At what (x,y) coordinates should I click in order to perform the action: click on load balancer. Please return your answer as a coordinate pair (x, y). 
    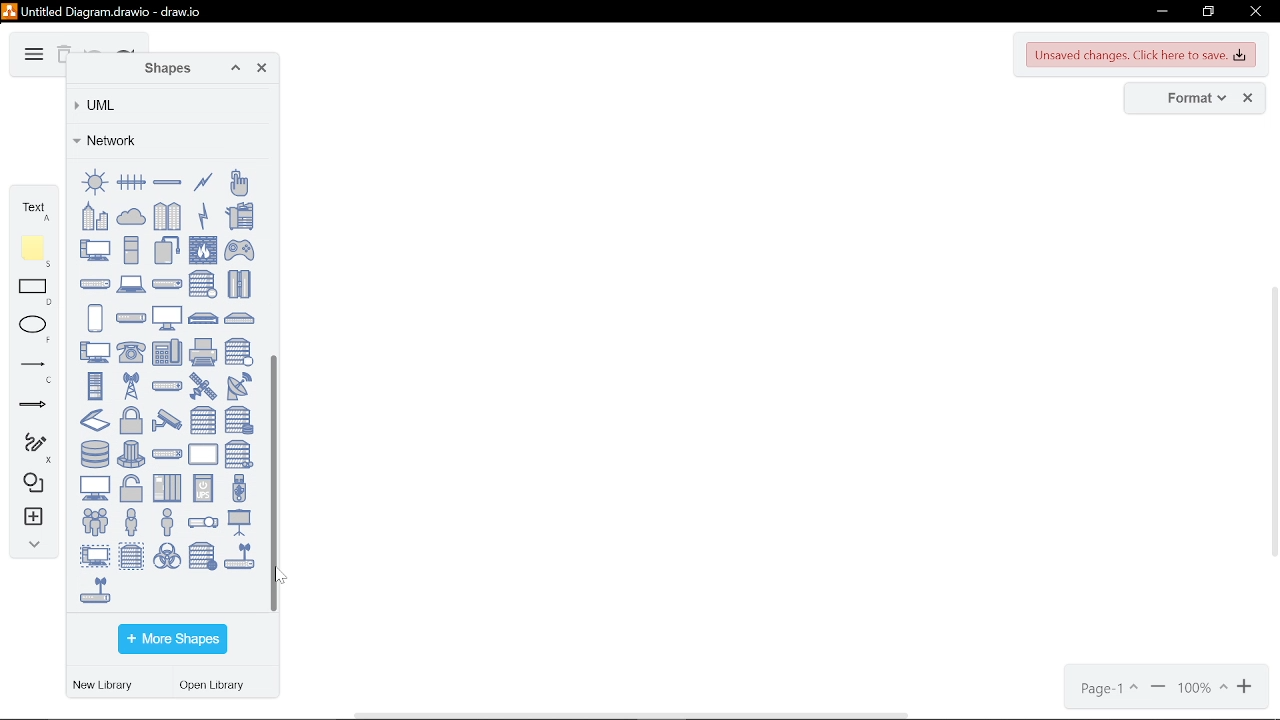
    Looking at the image, I should click on (167, 283).